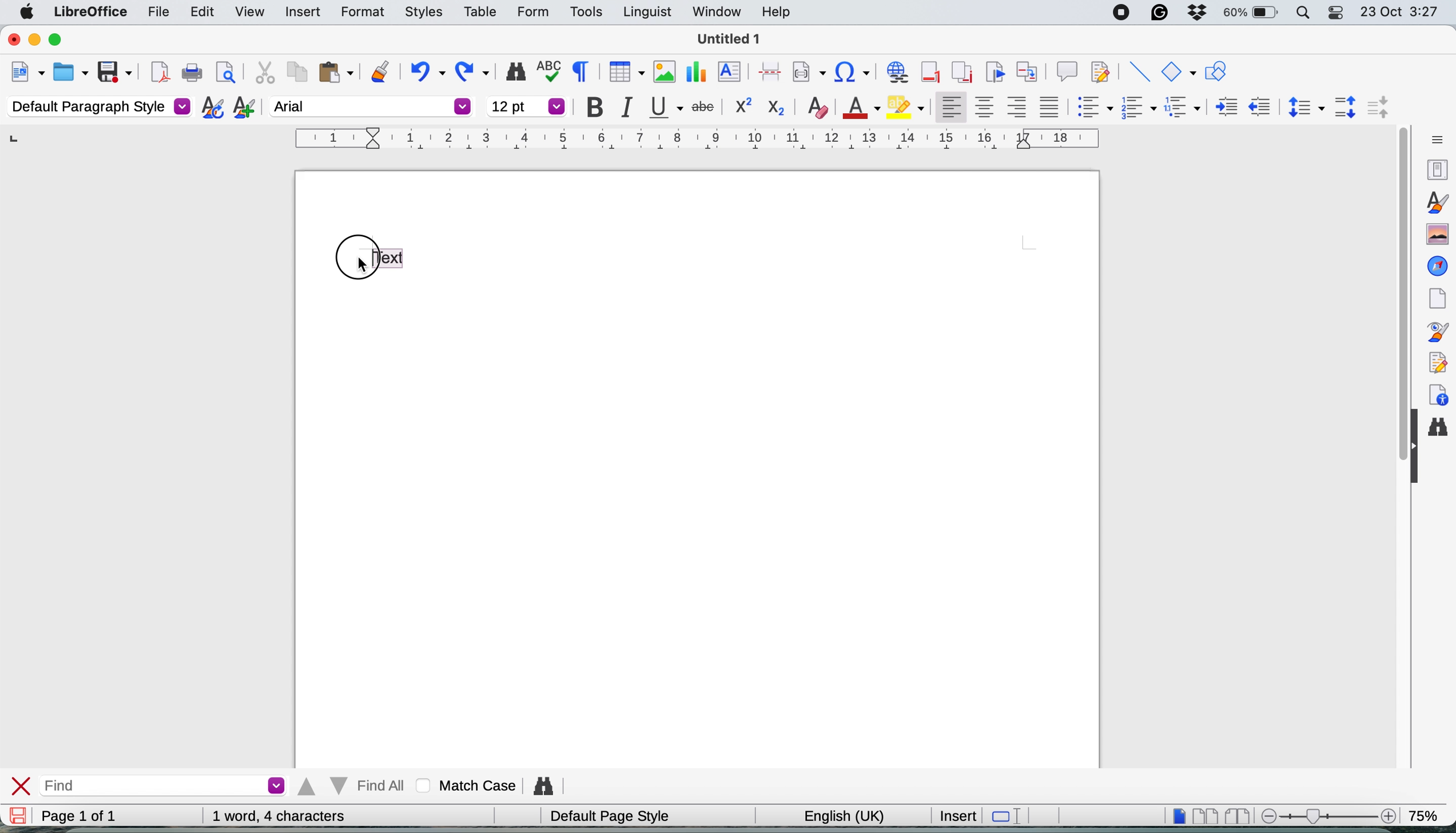 Image resolution: width=1456 pixels, height=833 pixels. What do you see at coordinates (1429, 814) in the screenshot?
I see `zoom factor` at bounding box center [1429, 814].